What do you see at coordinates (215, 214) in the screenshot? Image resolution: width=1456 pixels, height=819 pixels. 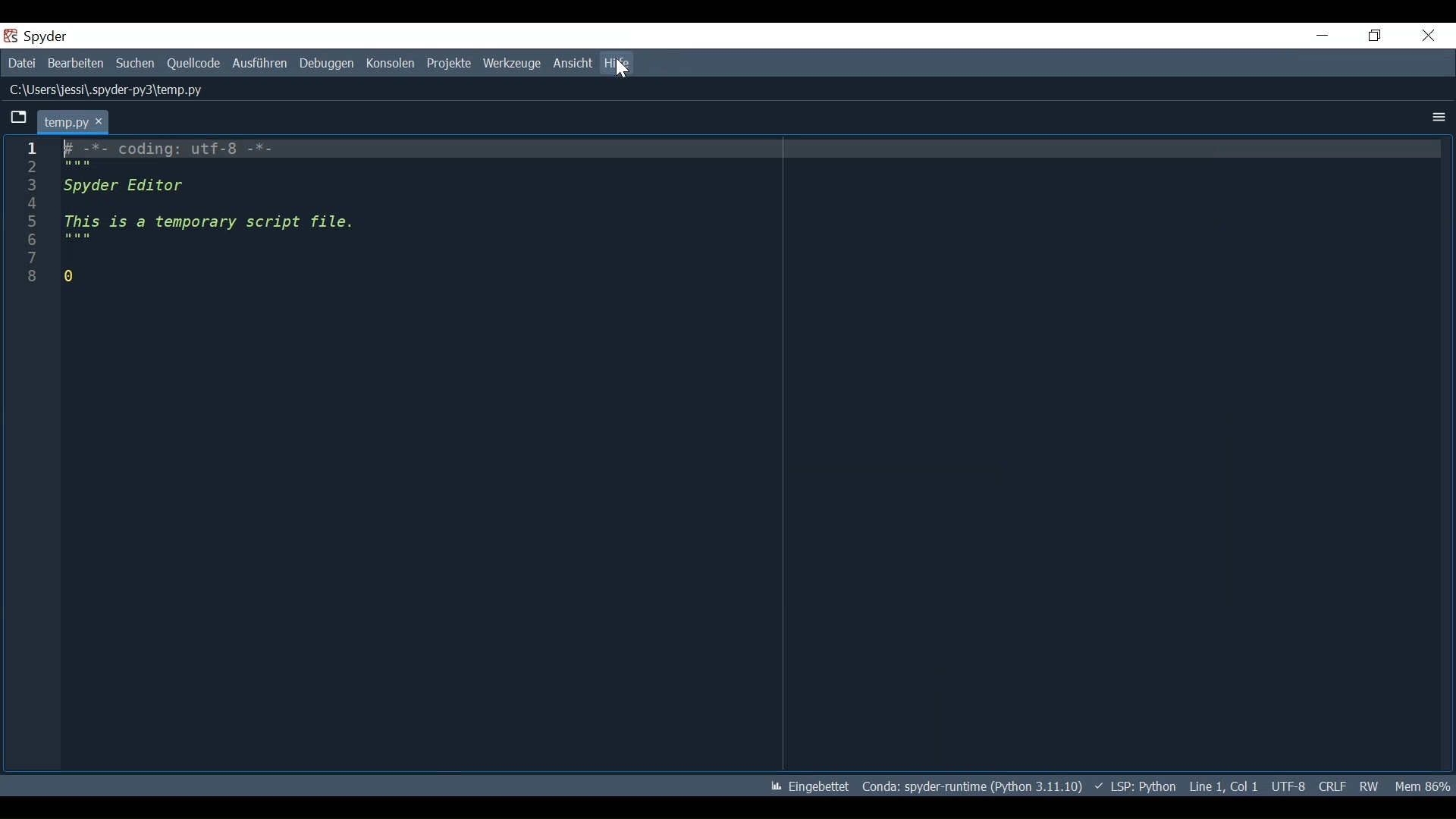 I see `fF -*- coding: utf-8 -*-

Spyder Editor

This is a temporary script file.
0` at bounding box center [215, 214].